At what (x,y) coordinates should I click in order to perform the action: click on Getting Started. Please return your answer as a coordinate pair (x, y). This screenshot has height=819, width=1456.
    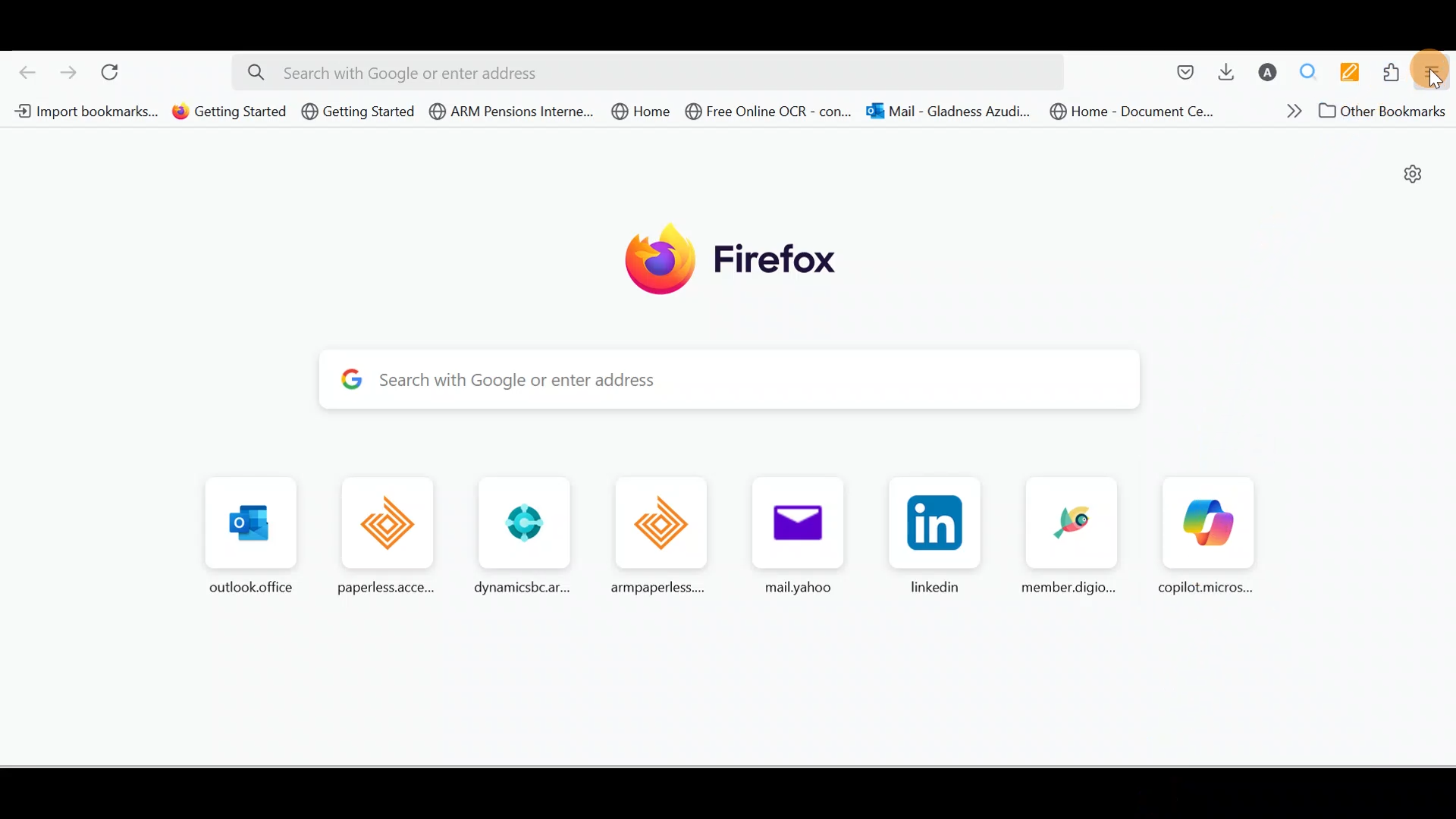
    Looking at the image, I should click on (229, 110).